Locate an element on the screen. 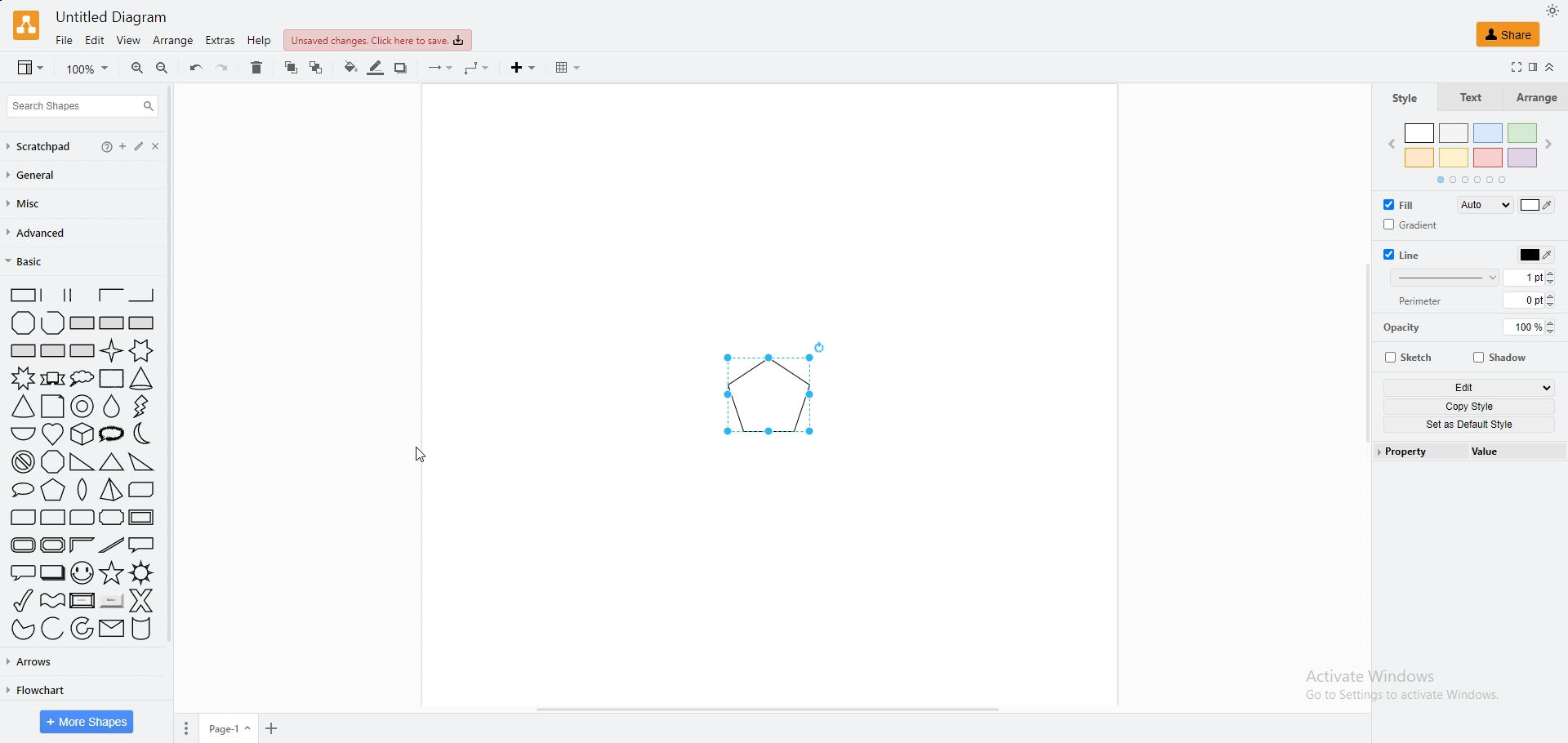 The width and height of the screenshot is (1568, 743). pointed oval is located at coordinates (84, 492).